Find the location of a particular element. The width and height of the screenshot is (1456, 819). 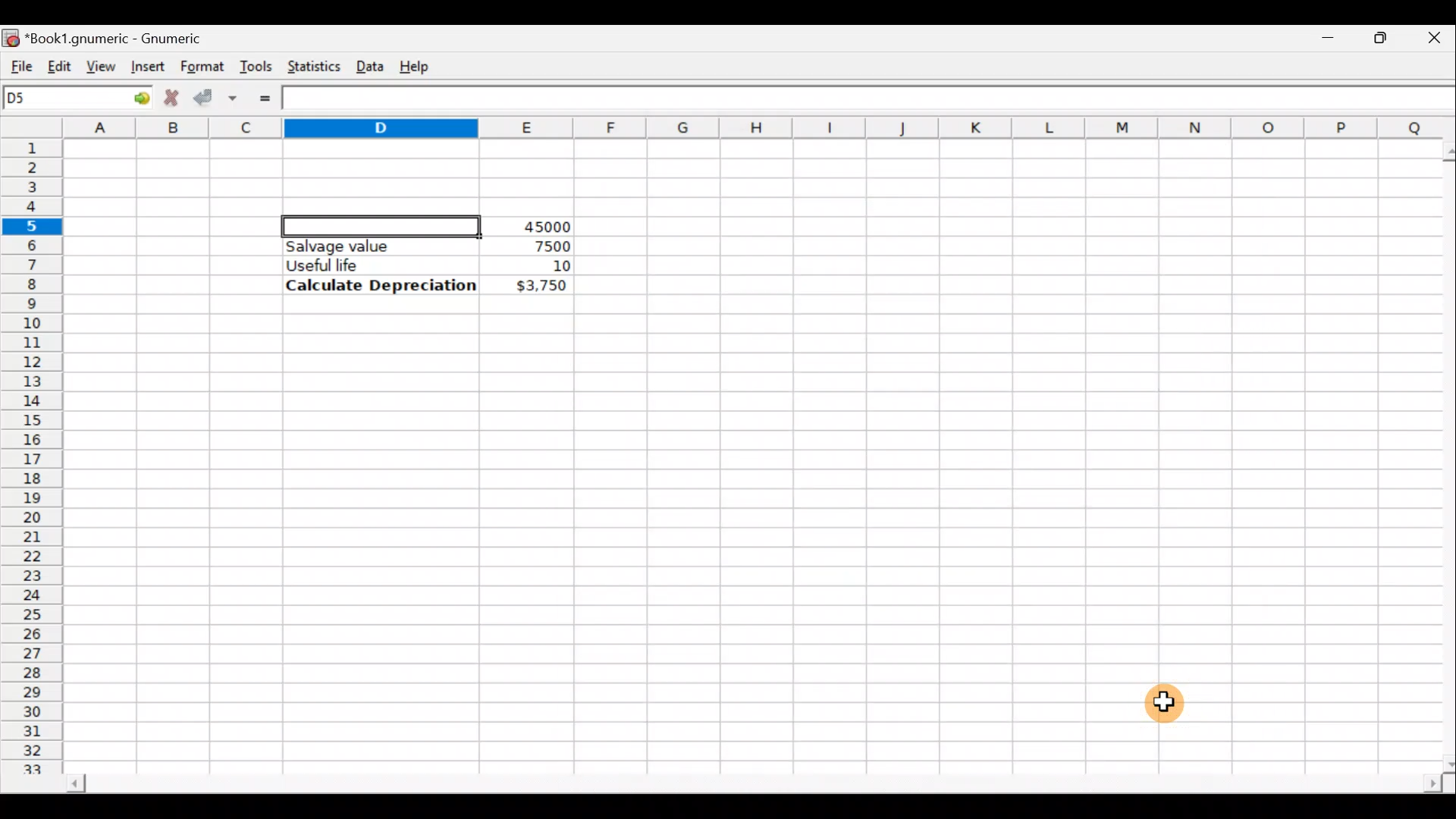

Cell name D5 is located at coordinates (59, 99).